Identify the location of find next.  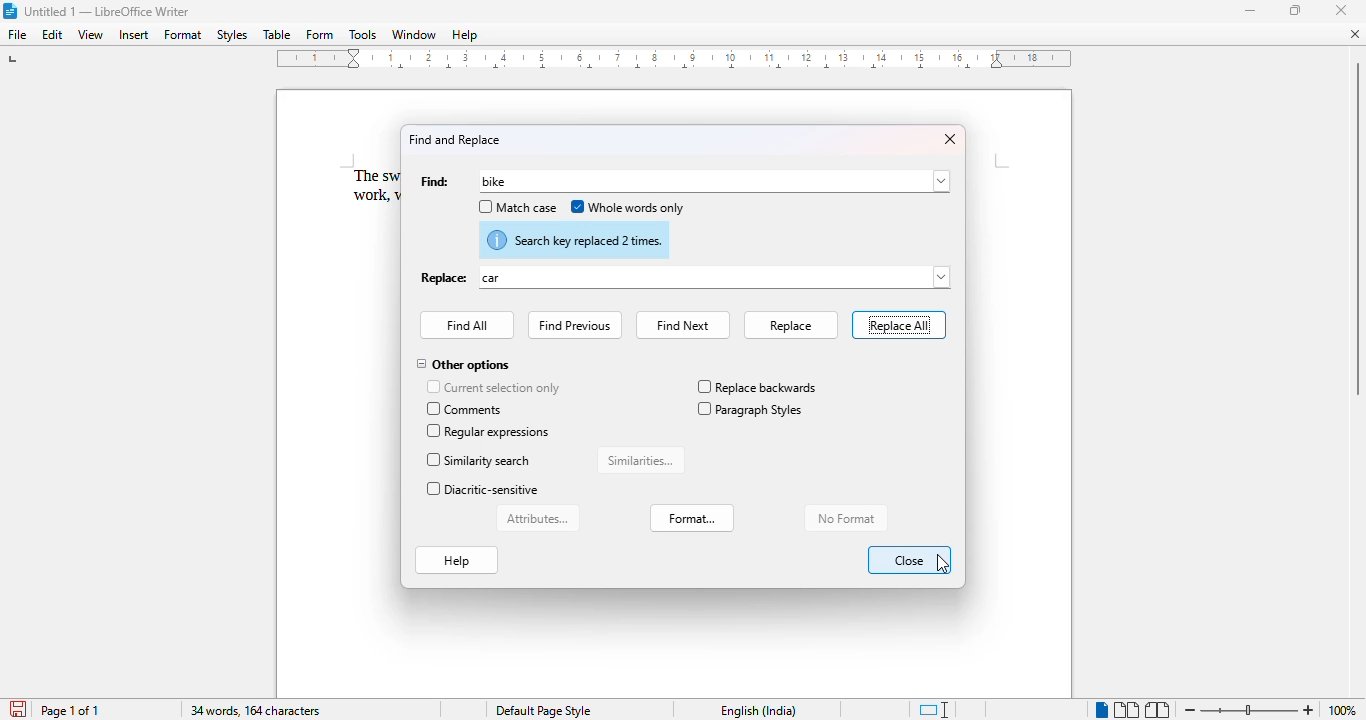
(682, 325).